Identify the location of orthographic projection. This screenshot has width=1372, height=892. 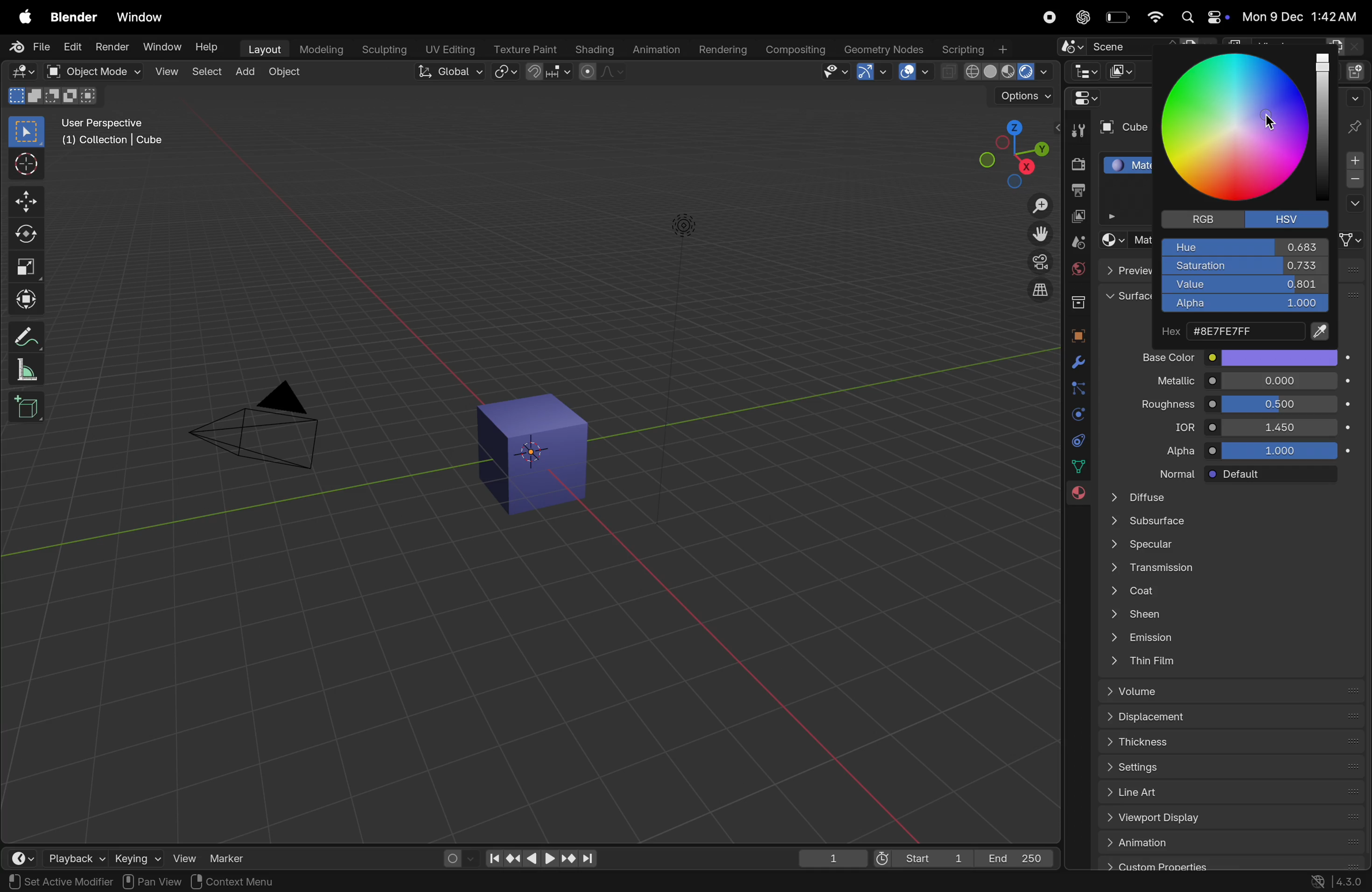
(1041, 290).